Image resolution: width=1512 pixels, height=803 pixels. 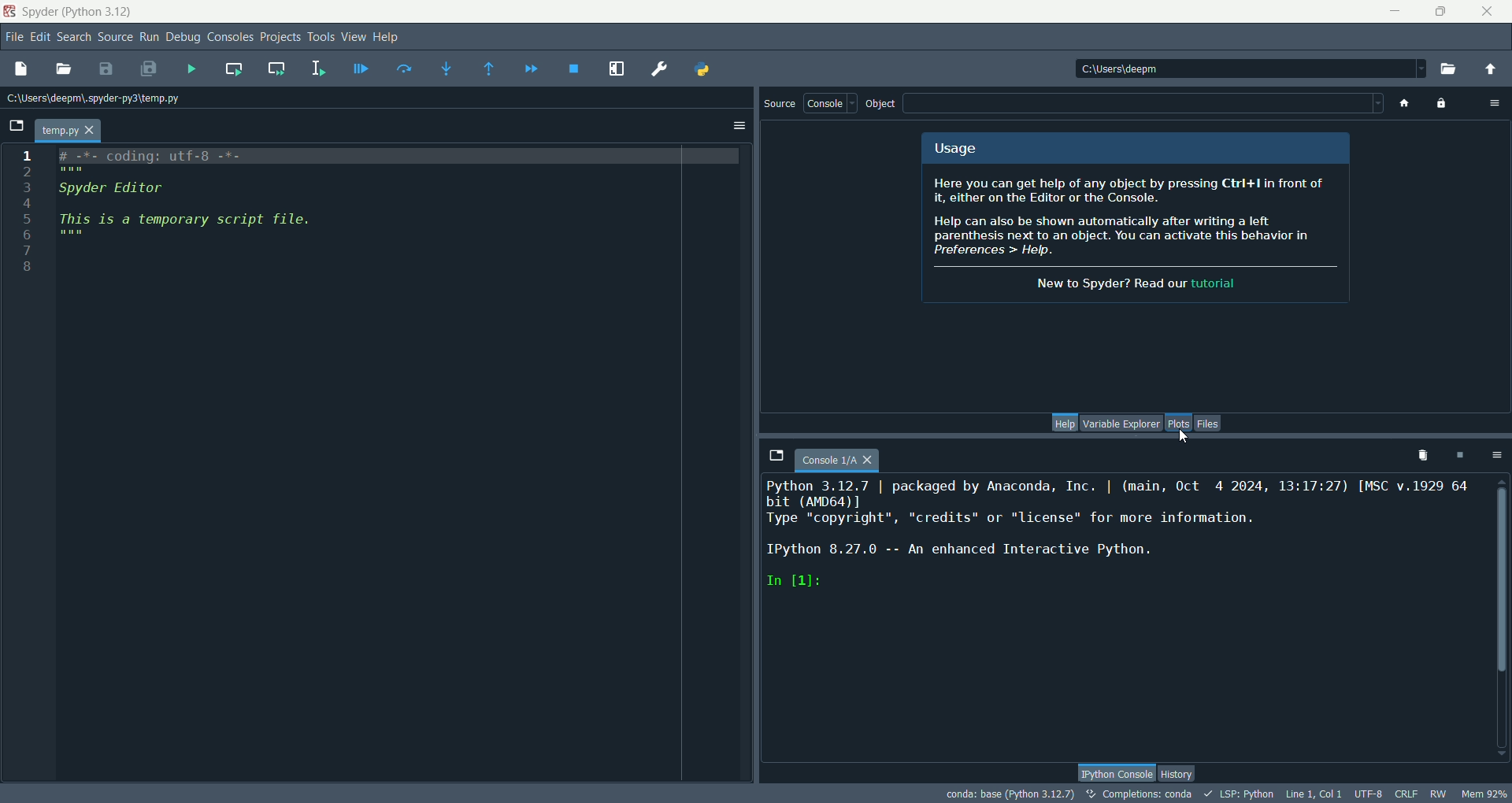 What do you see at coordinates (1440, 793) in the screenshot?
I see `RW` at bounding box center [1440, 793].